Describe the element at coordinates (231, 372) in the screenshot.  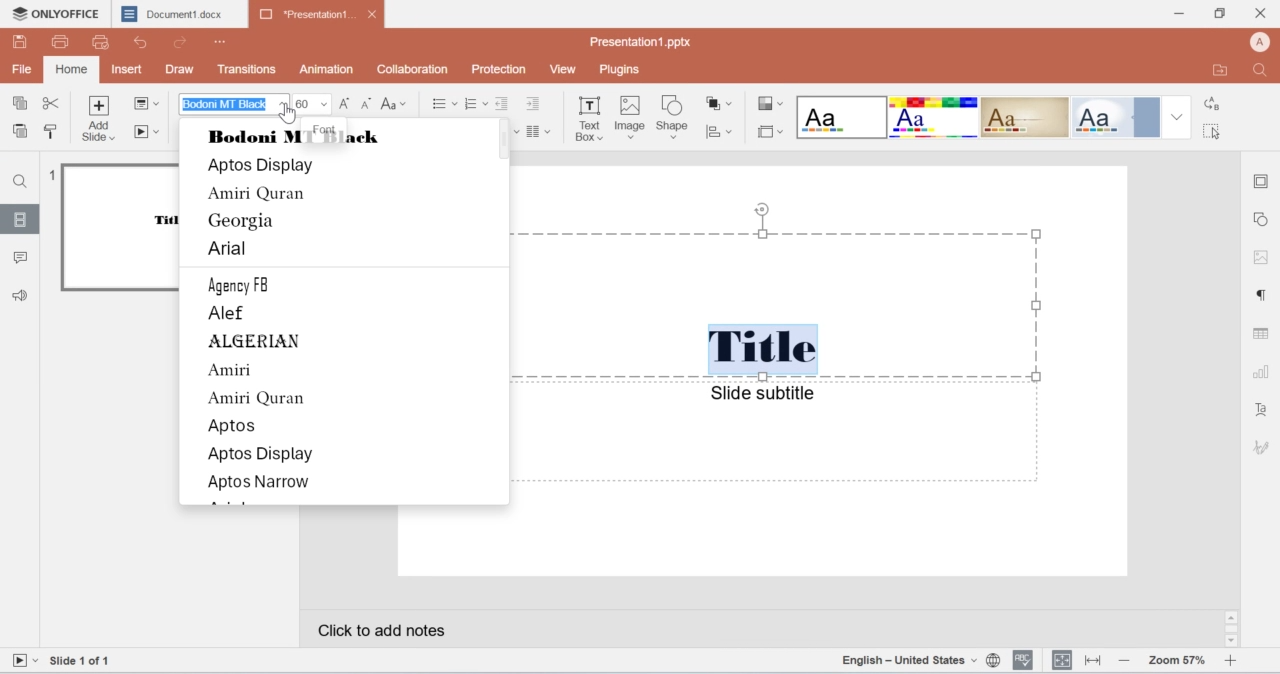
I see `Amin` at that location.